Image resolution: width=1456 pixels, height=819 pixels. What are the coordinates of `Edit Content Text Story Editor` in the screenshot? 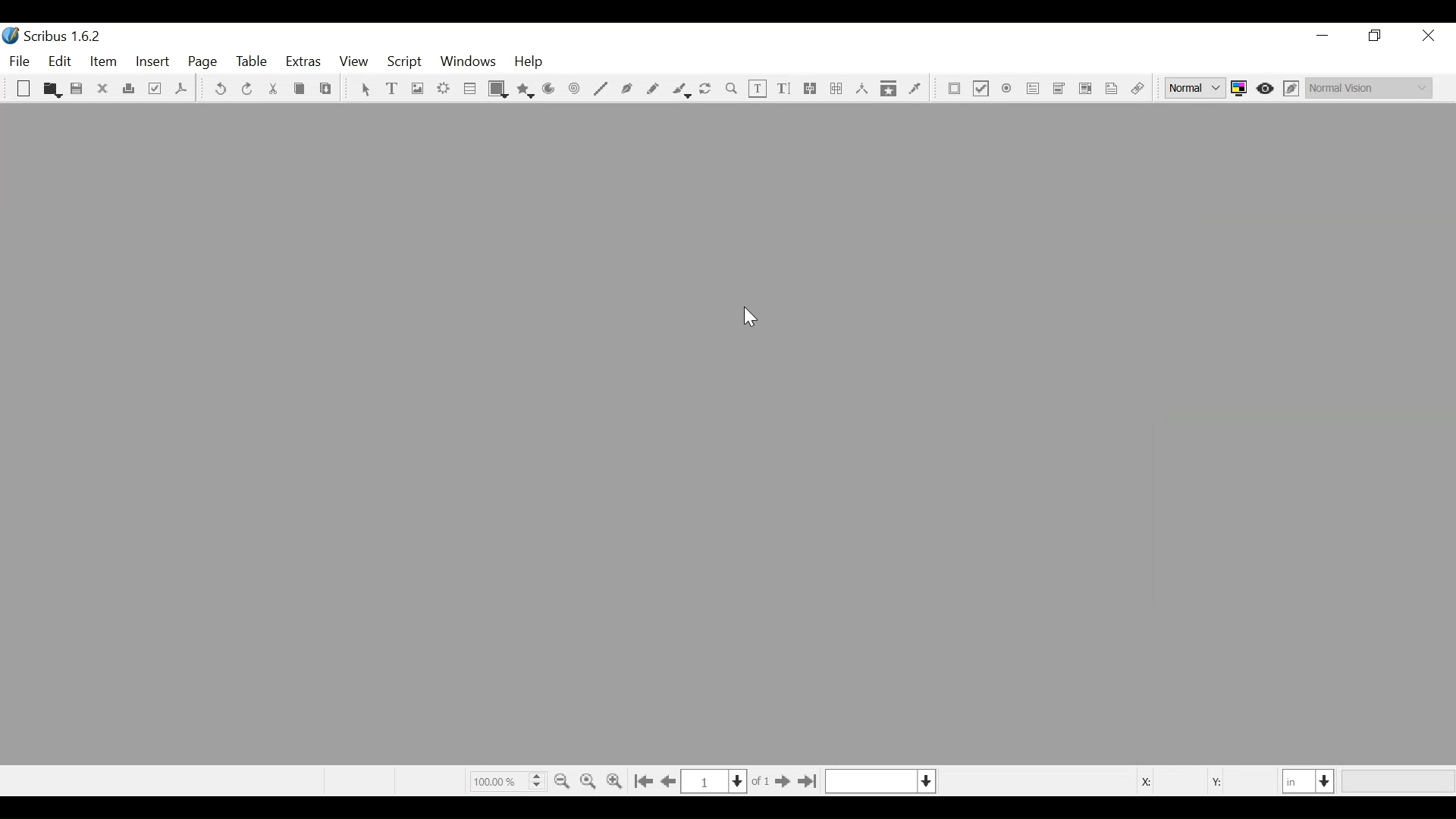 It's located at (783, 89).